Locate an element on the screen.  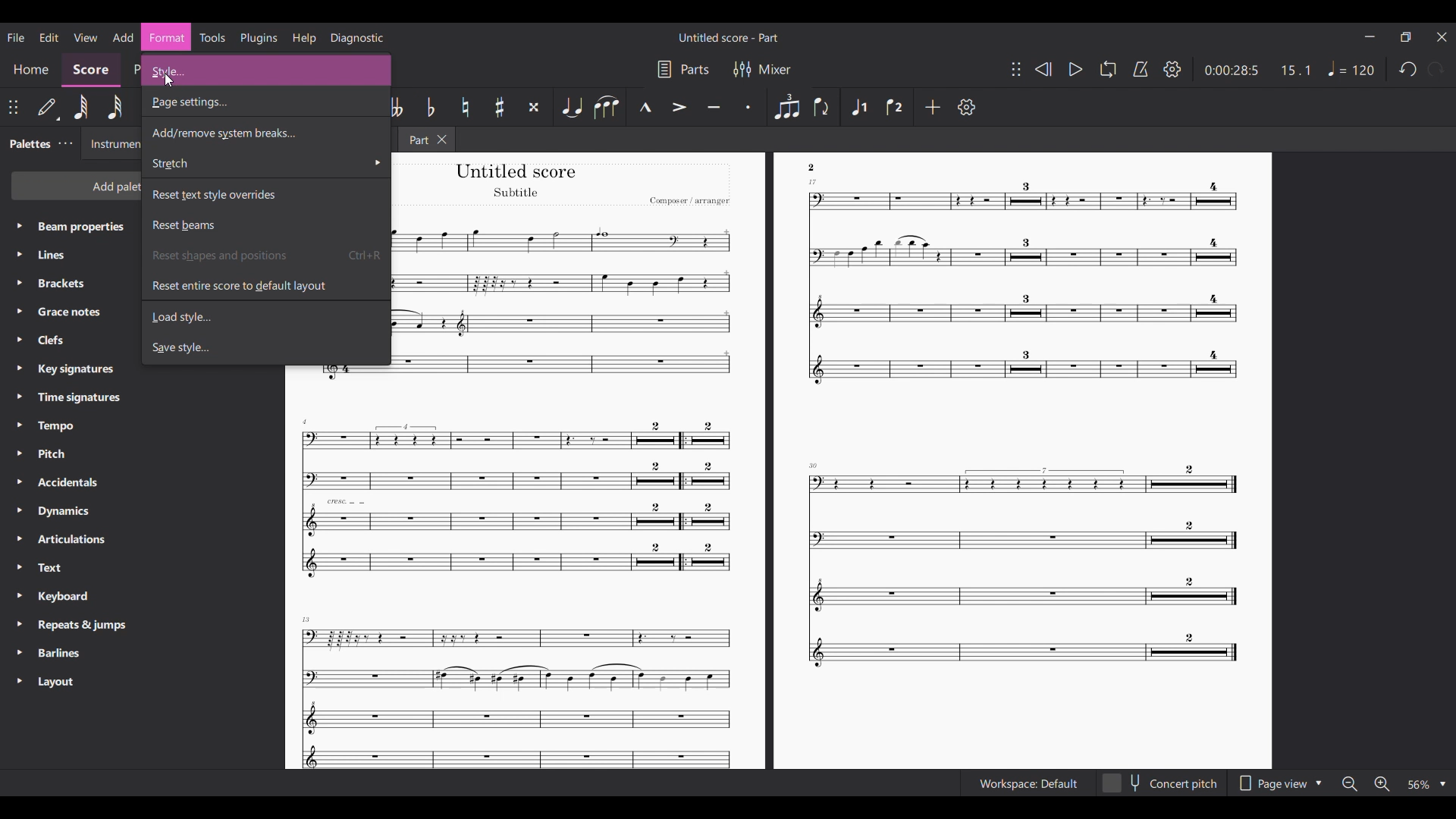
Change toolbar position is located at coordinates (1016, 69).